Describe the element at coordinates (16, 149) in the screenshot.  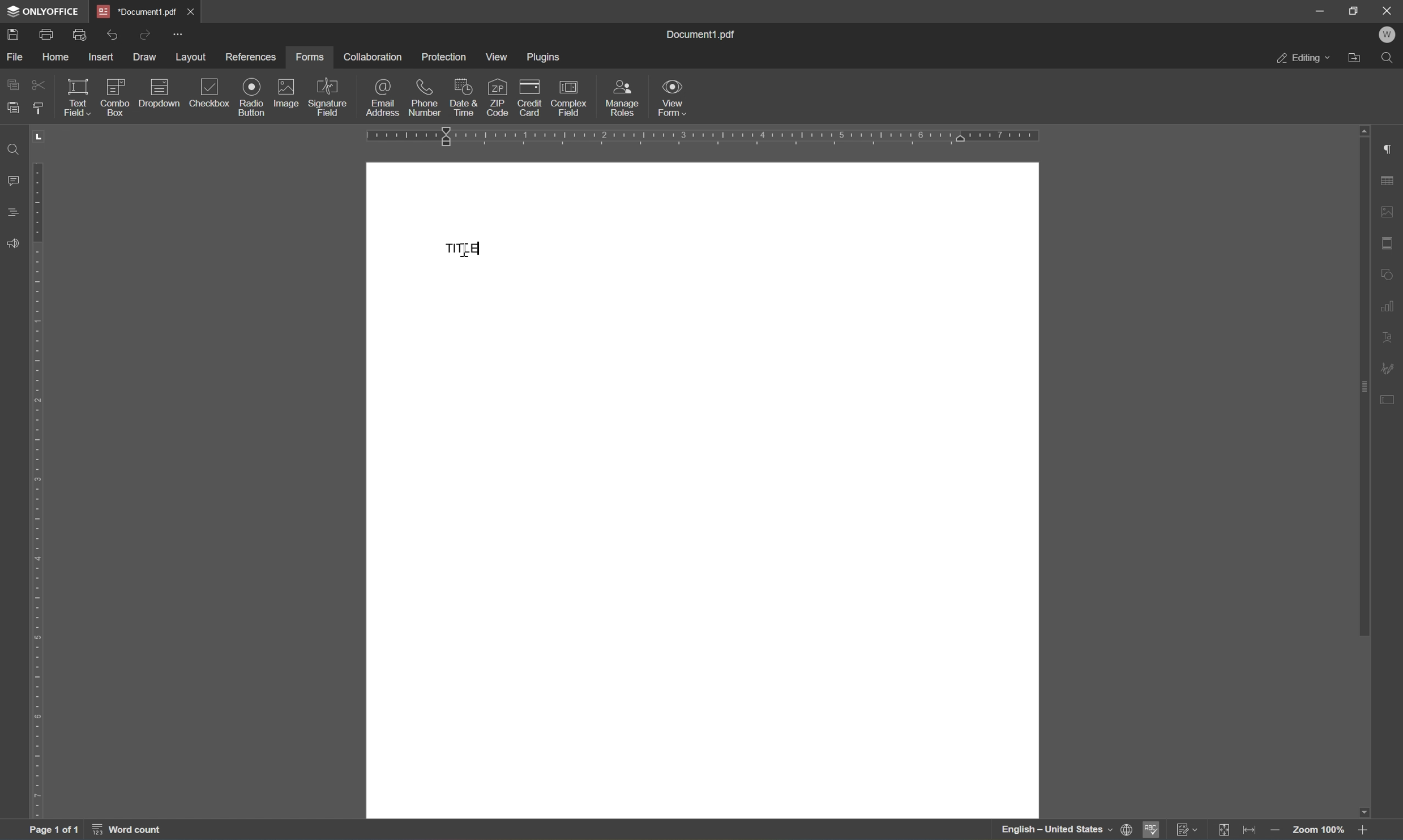
I see `find` at that location.